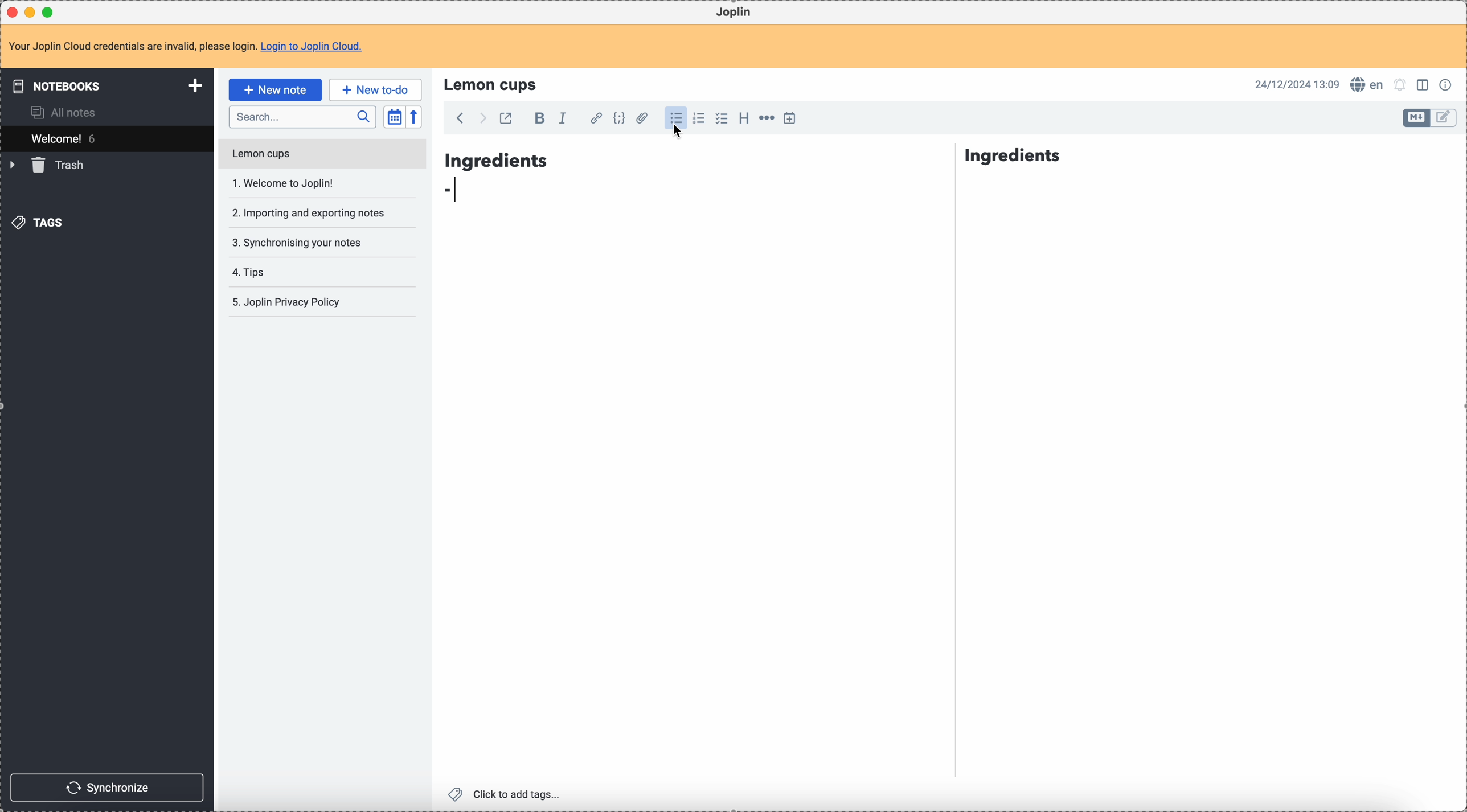 This screenshot has width=1467, height=812. I want to click on toggle external editing, so click(505, 120).